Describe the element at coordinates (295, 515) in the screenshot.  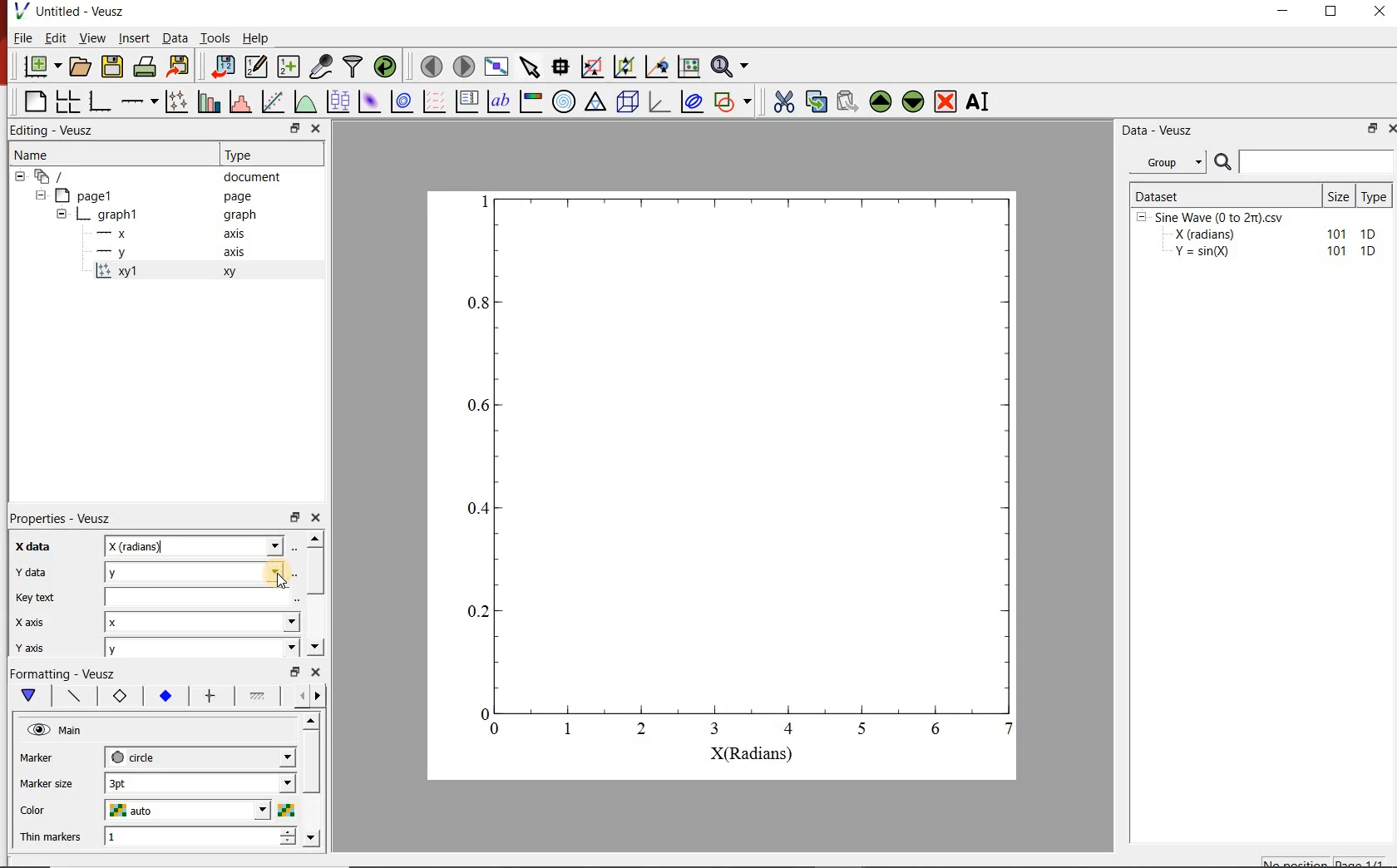
I see `Min/Max` at that location.